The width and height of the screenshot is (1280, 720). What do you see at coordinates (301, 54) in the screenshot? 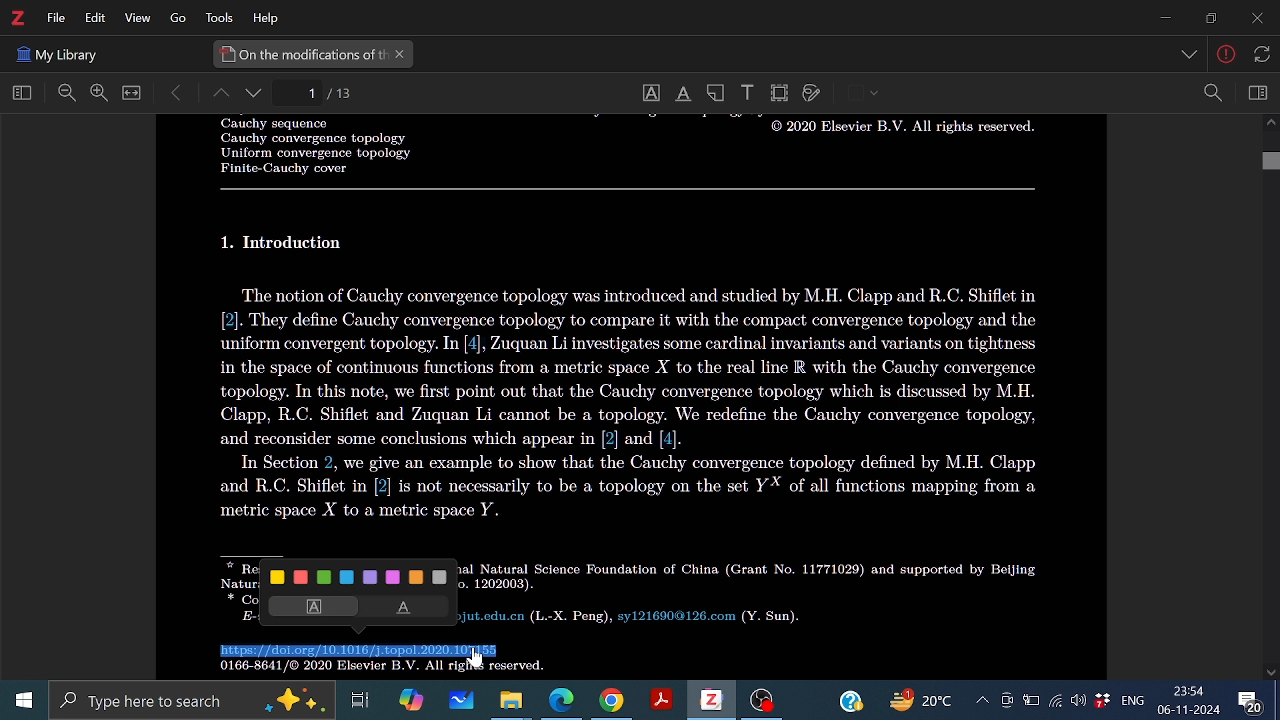
I see `Current tab` at bounding box center [301, 54].